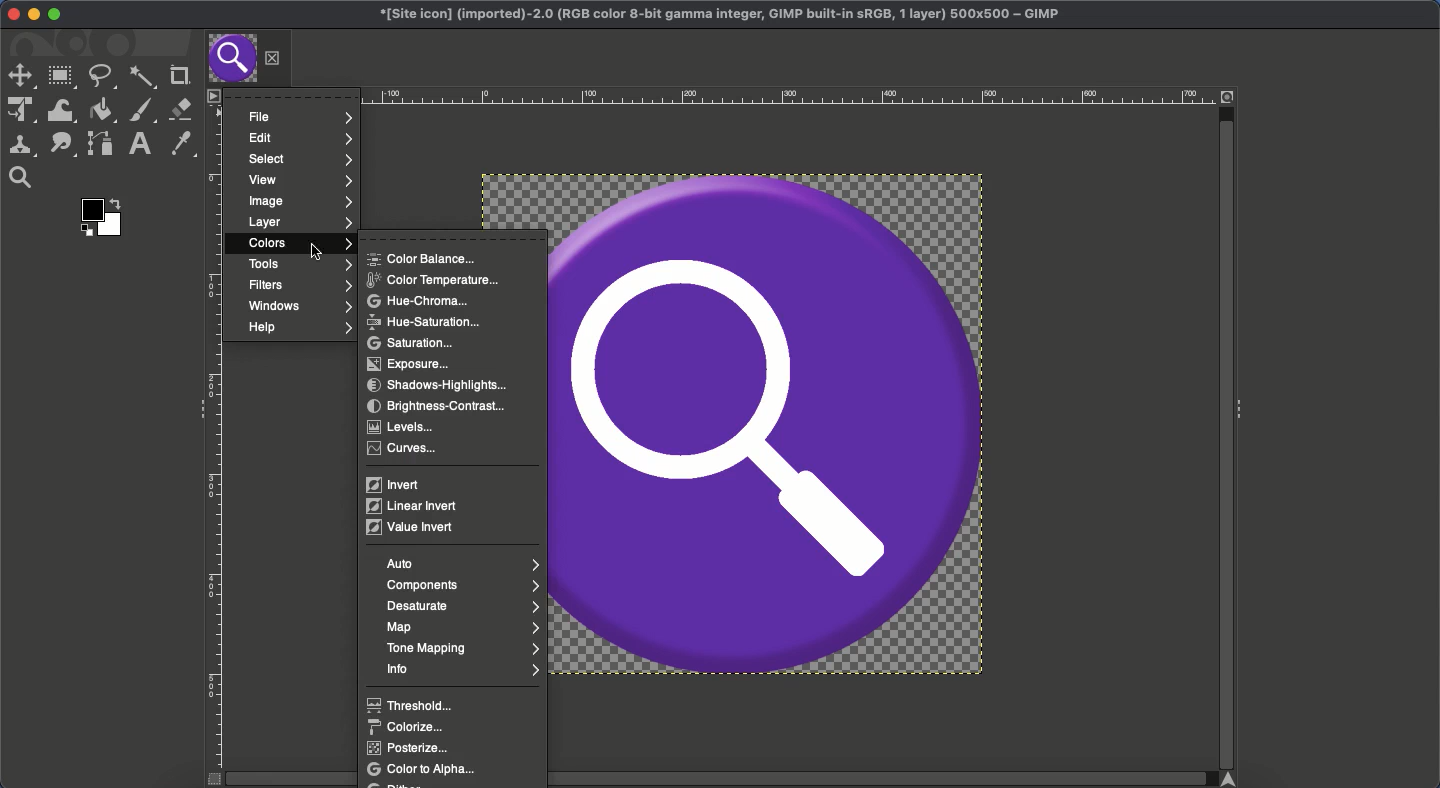 This screenshot has width=1440, height=788. Describe the element at coordinates (61, 79) in the screenshot. I see `Rectangular selector` at that location.